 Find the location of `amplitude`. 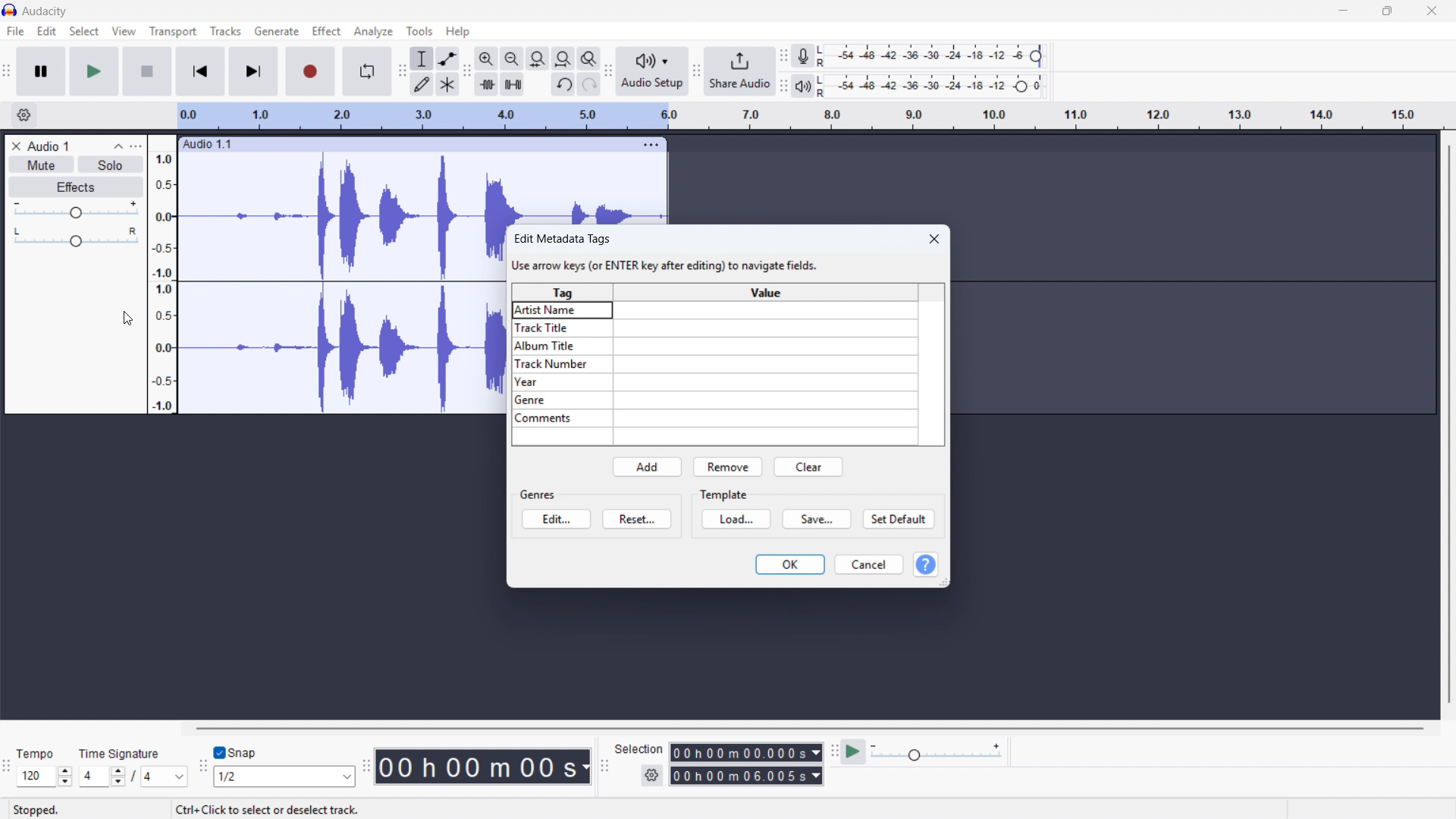

amplitude is located at coordinates (162, 274).